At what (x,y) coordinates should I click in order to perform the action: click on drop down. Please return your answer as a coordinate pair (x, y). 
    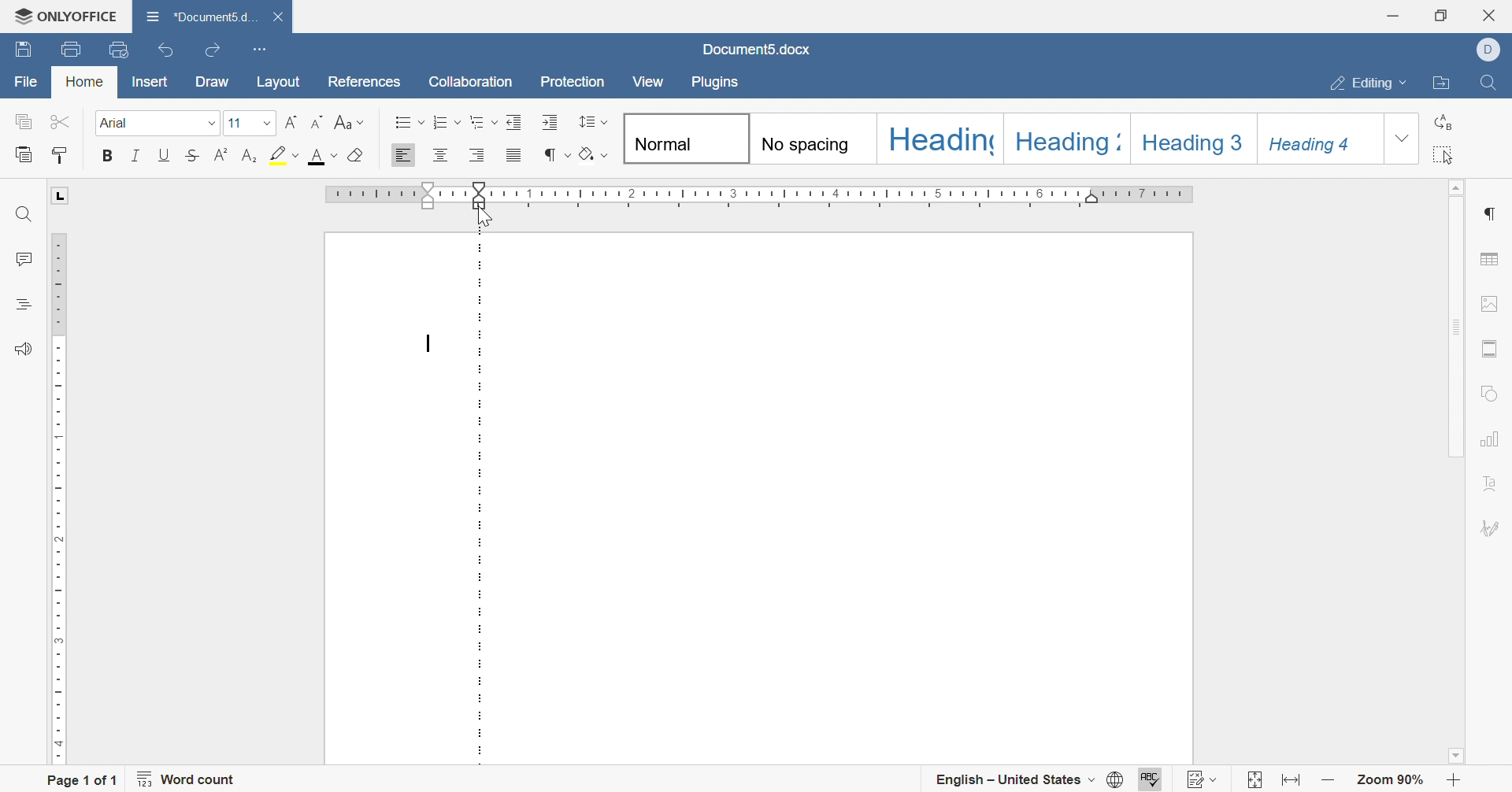
    Looking at the image, I should click on (1403, 140).